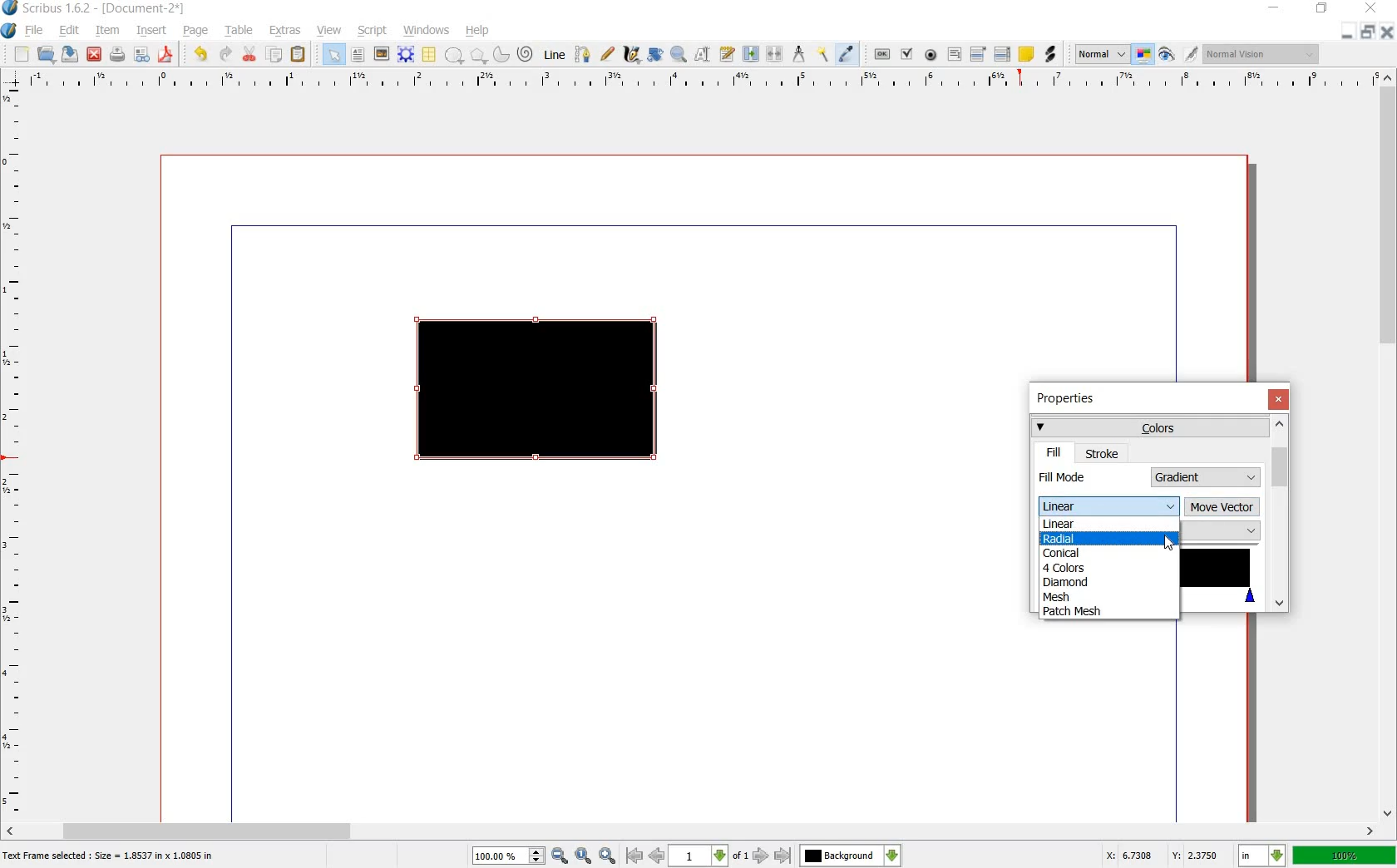 Image resolution: width=1397 pixels, height=868 pixels. What do you see at coordinates (537, 856) in the screenshot?
I see `Increase or decrease zoom value` at bounding box center [537, 856].